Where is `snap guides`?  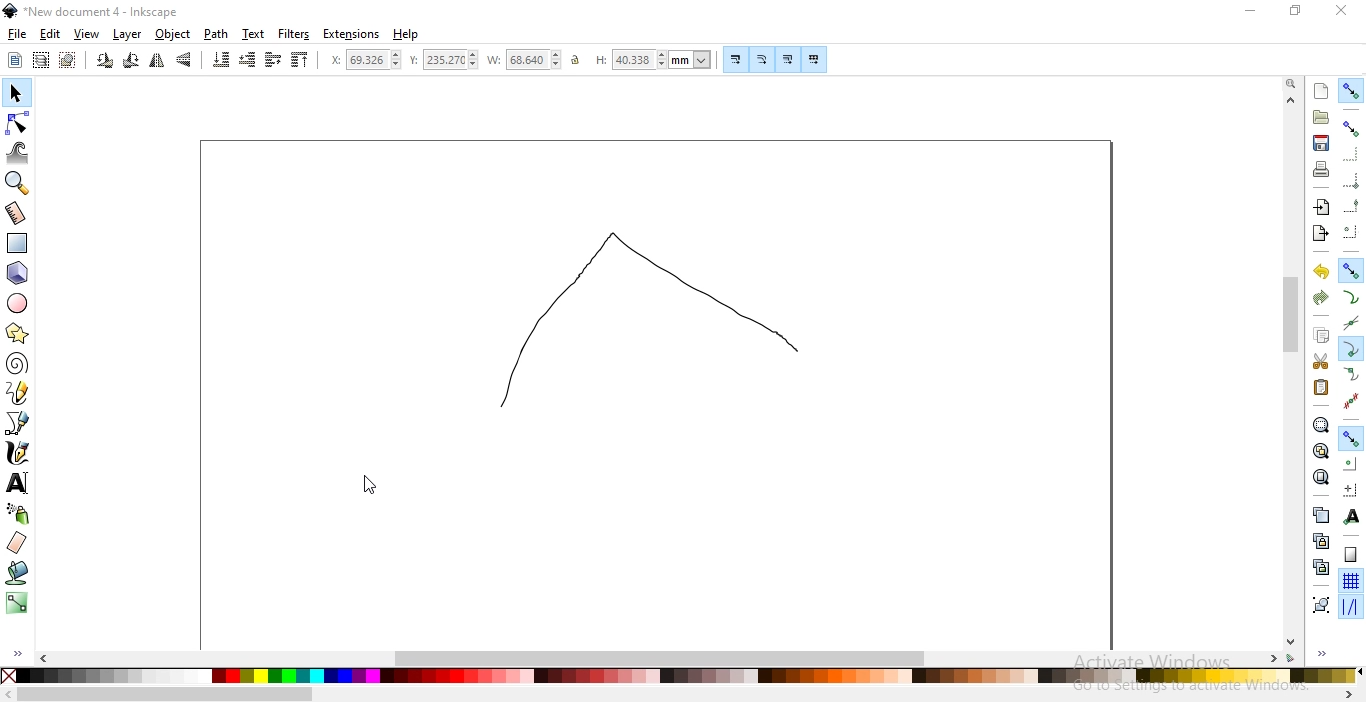 snap guides is located at coordinates (1348, 607).